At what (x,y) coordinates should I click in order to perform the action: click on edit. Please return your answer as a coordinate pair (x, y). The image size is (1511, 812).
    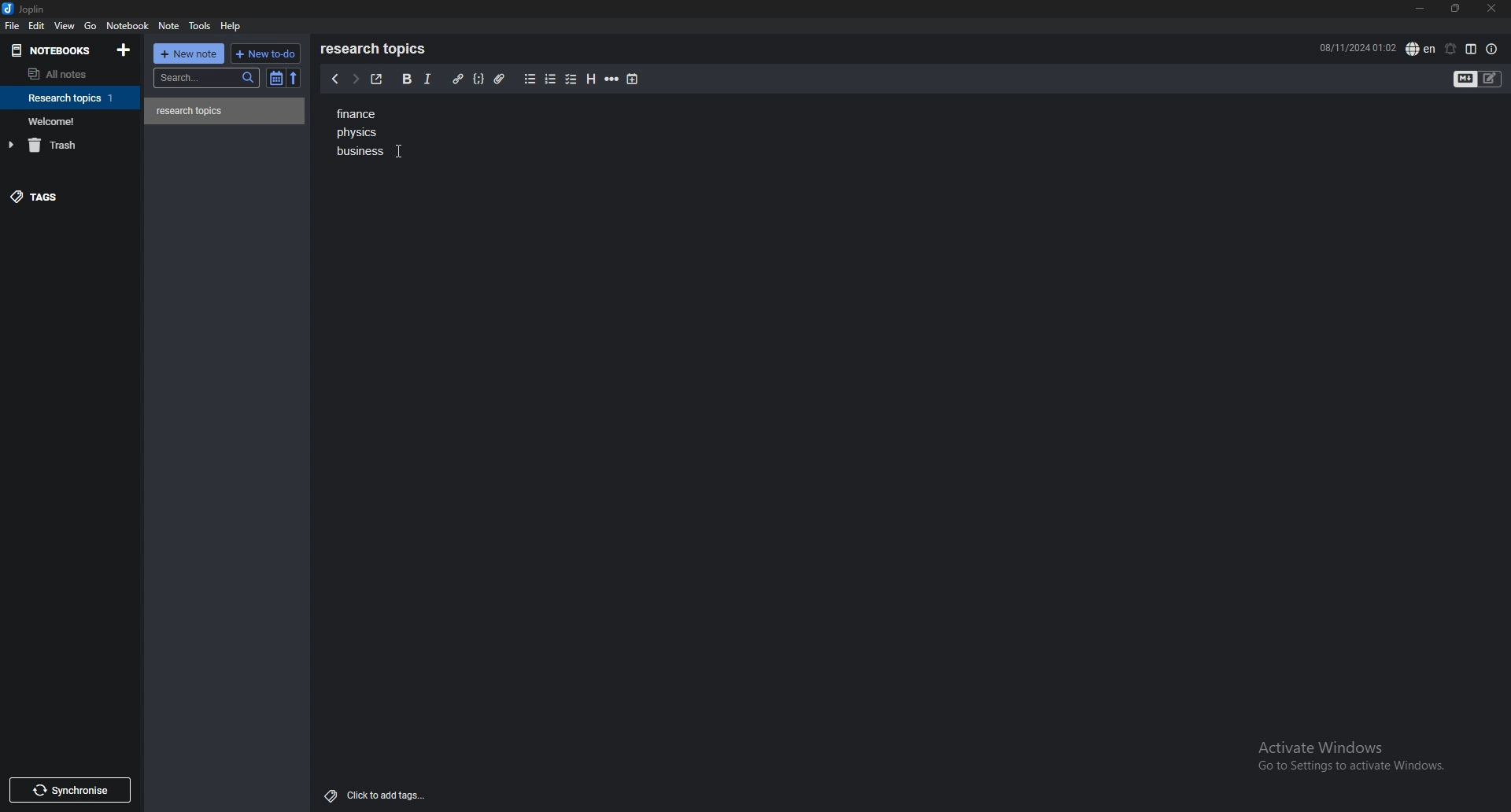
    Looking at the image, I should click on (36, 25).